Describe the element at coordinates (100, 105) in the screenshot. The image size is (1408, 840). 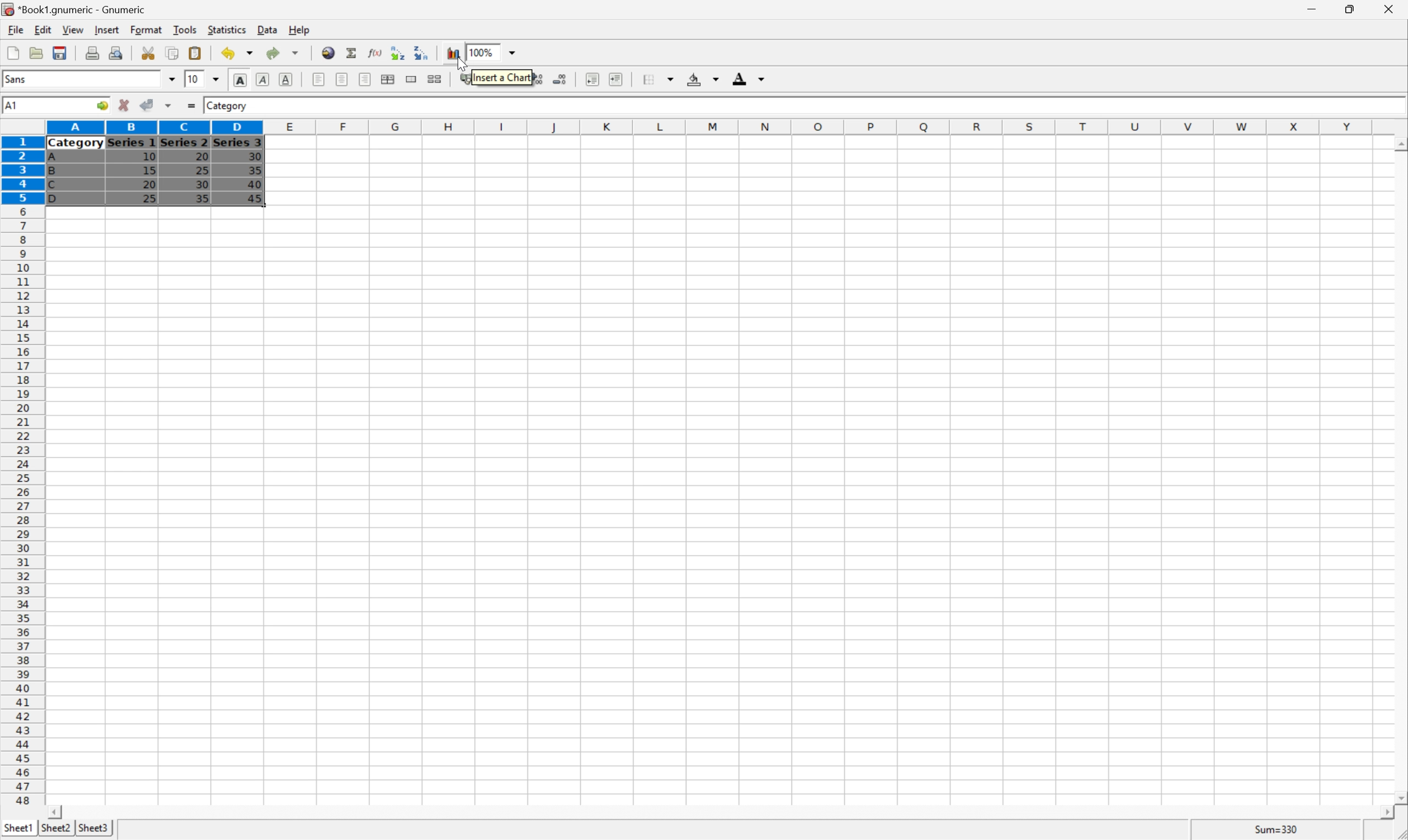
I see `Go to` at that location.